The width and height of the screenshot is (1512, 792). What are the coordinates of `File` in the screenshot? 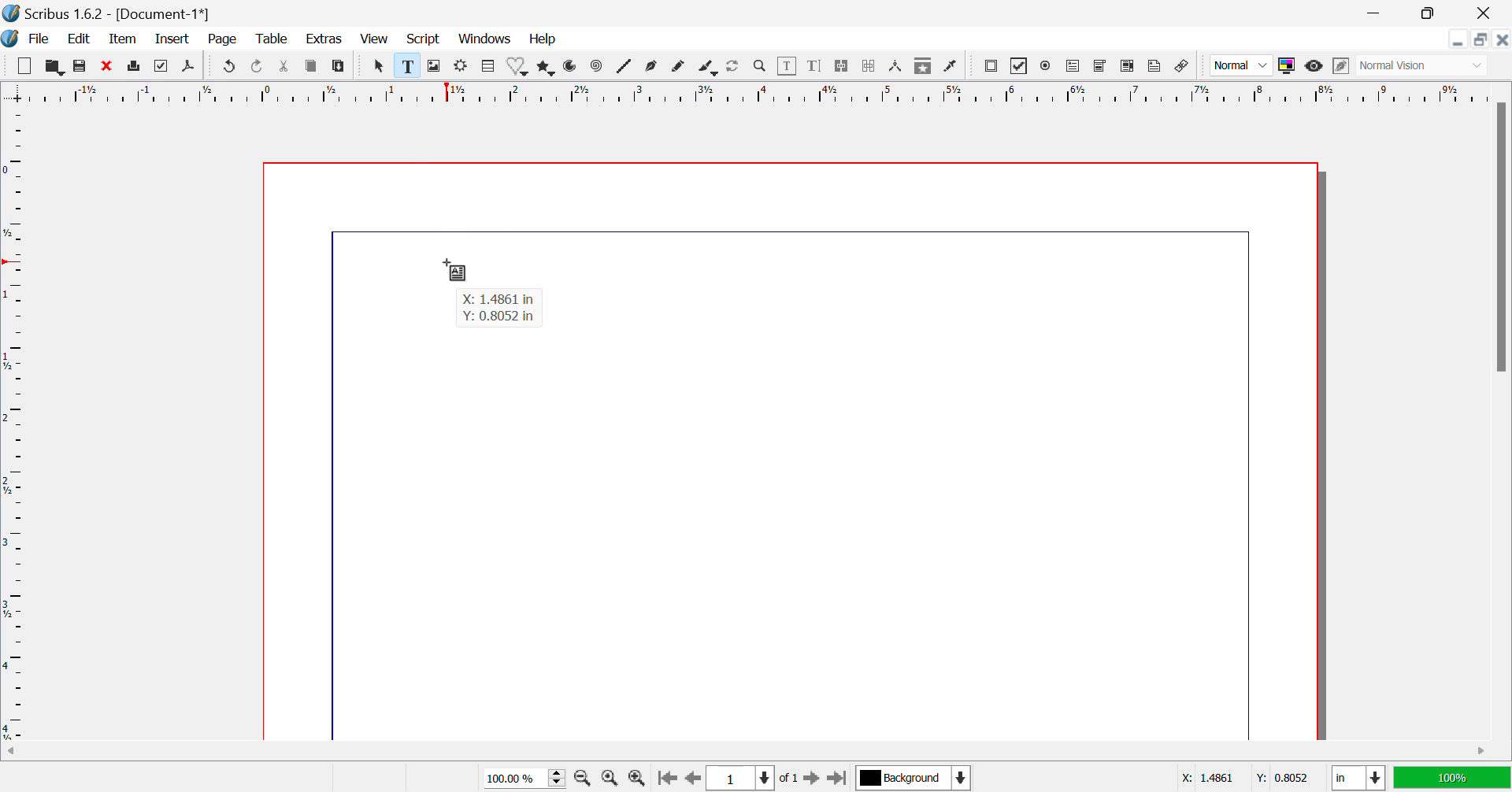 It's located at (39, 39).